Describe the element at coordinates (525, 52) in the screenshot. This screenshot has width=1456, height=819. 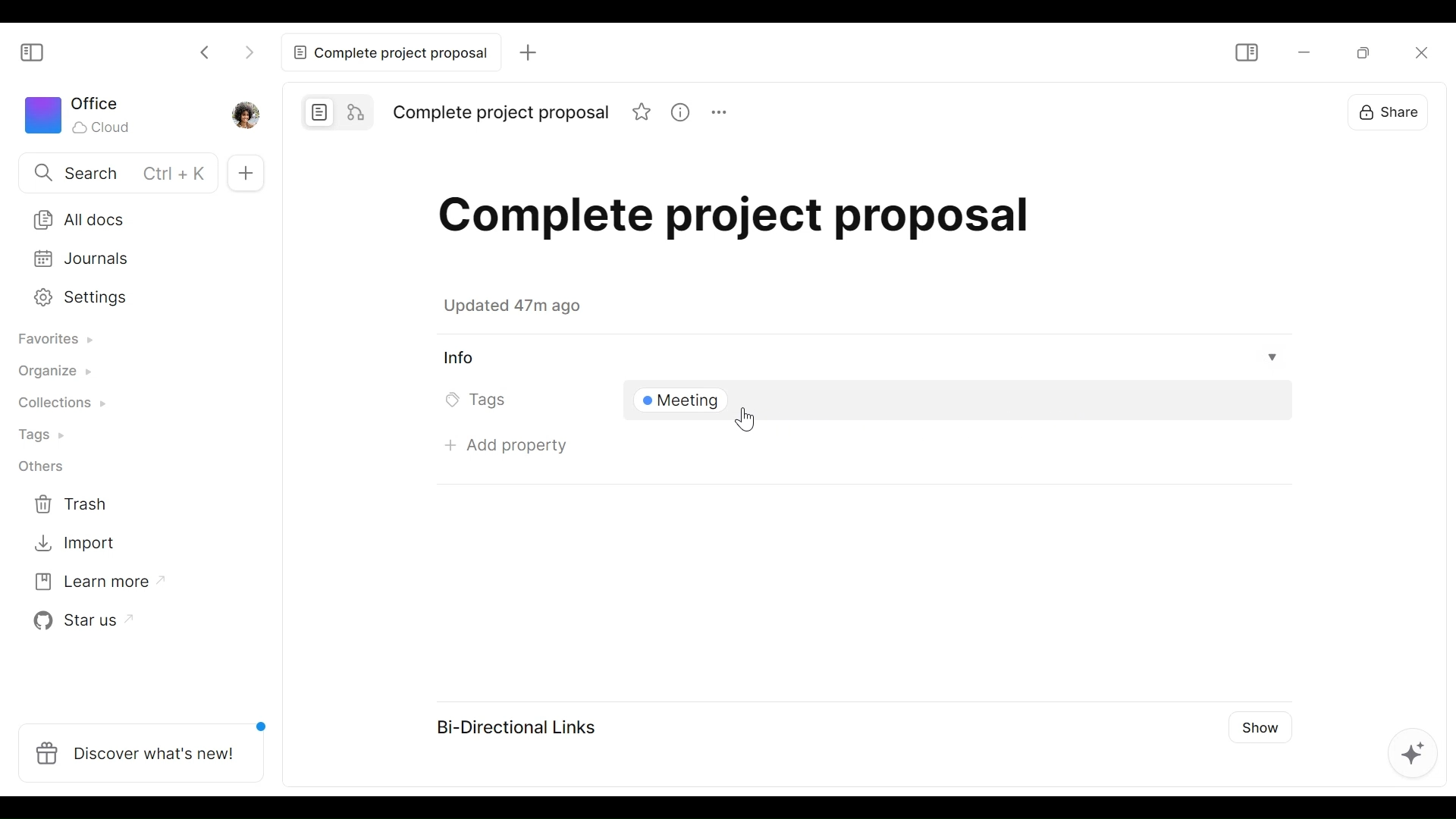
I see `Add` at that location.